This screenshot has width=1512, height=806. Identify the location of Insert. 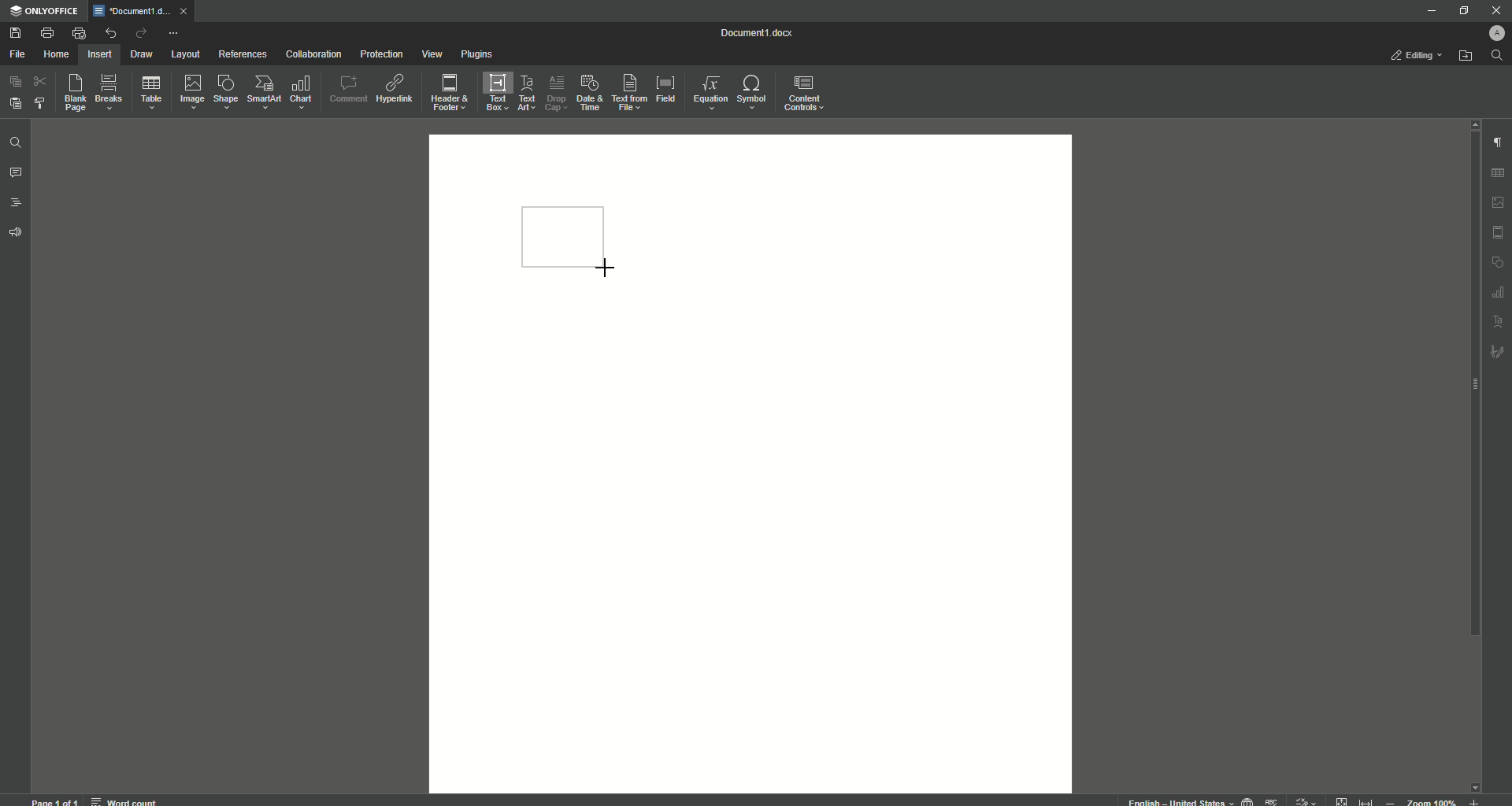
(98, 54).